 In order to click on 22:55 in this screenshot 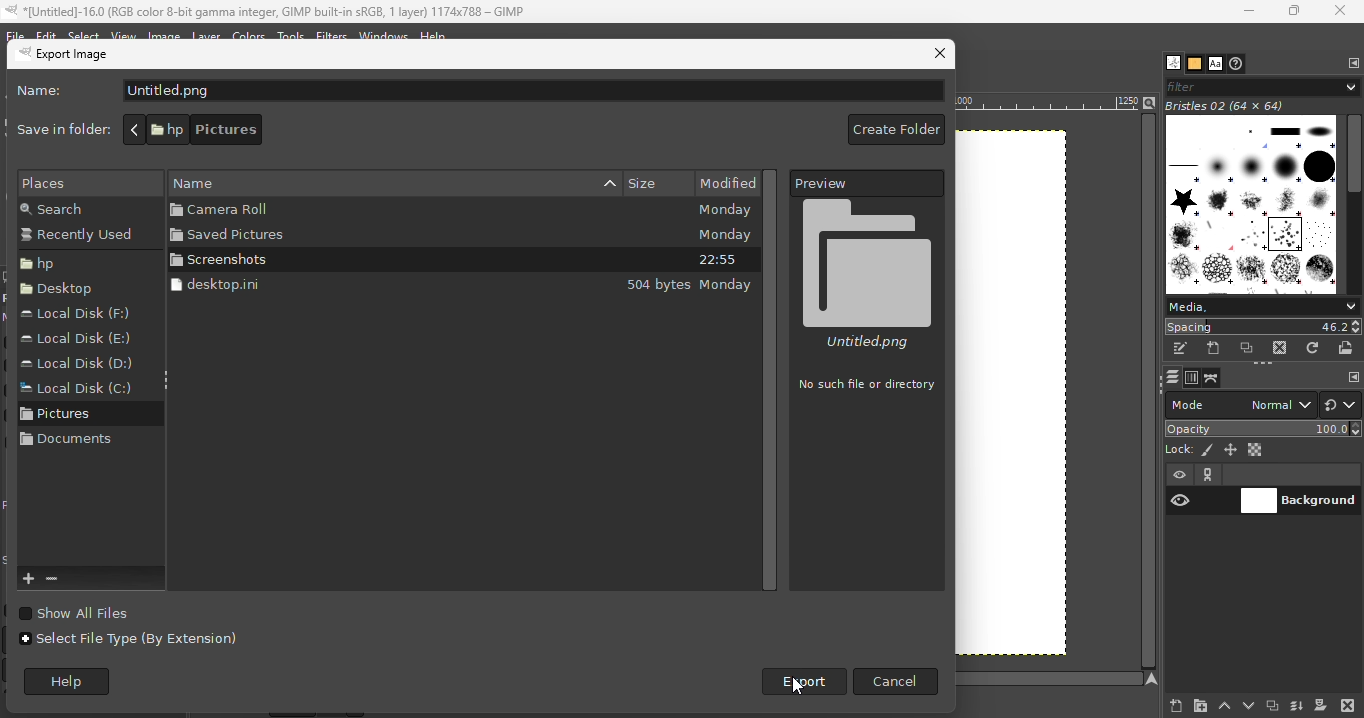, I will do `click(718, 261)`.